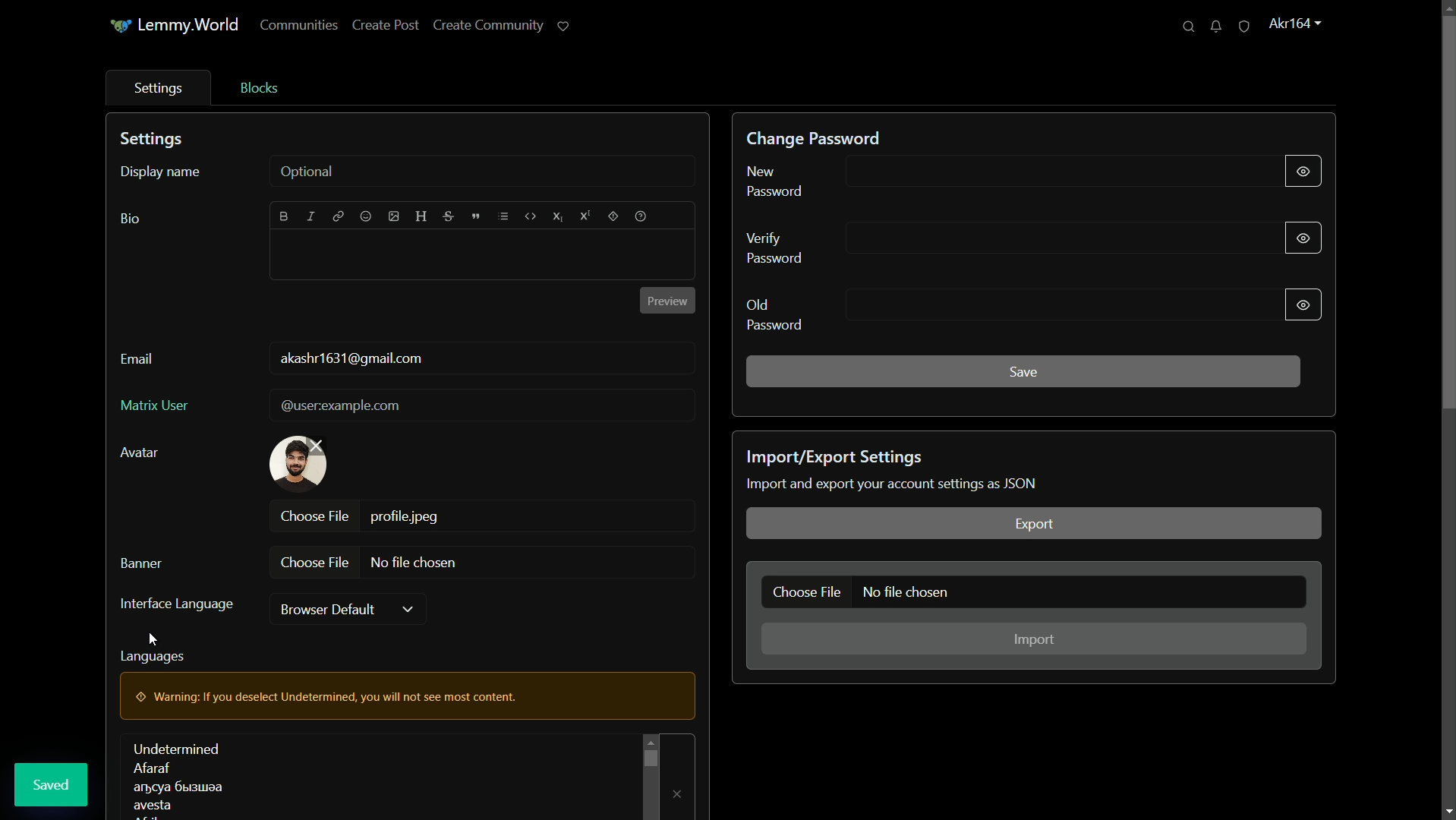 Image resolution: width=1456 pixels, height=820 pixels. Describe the element at coordinates (415, 563) in the screenshot. I see `no file chosen` at that location.